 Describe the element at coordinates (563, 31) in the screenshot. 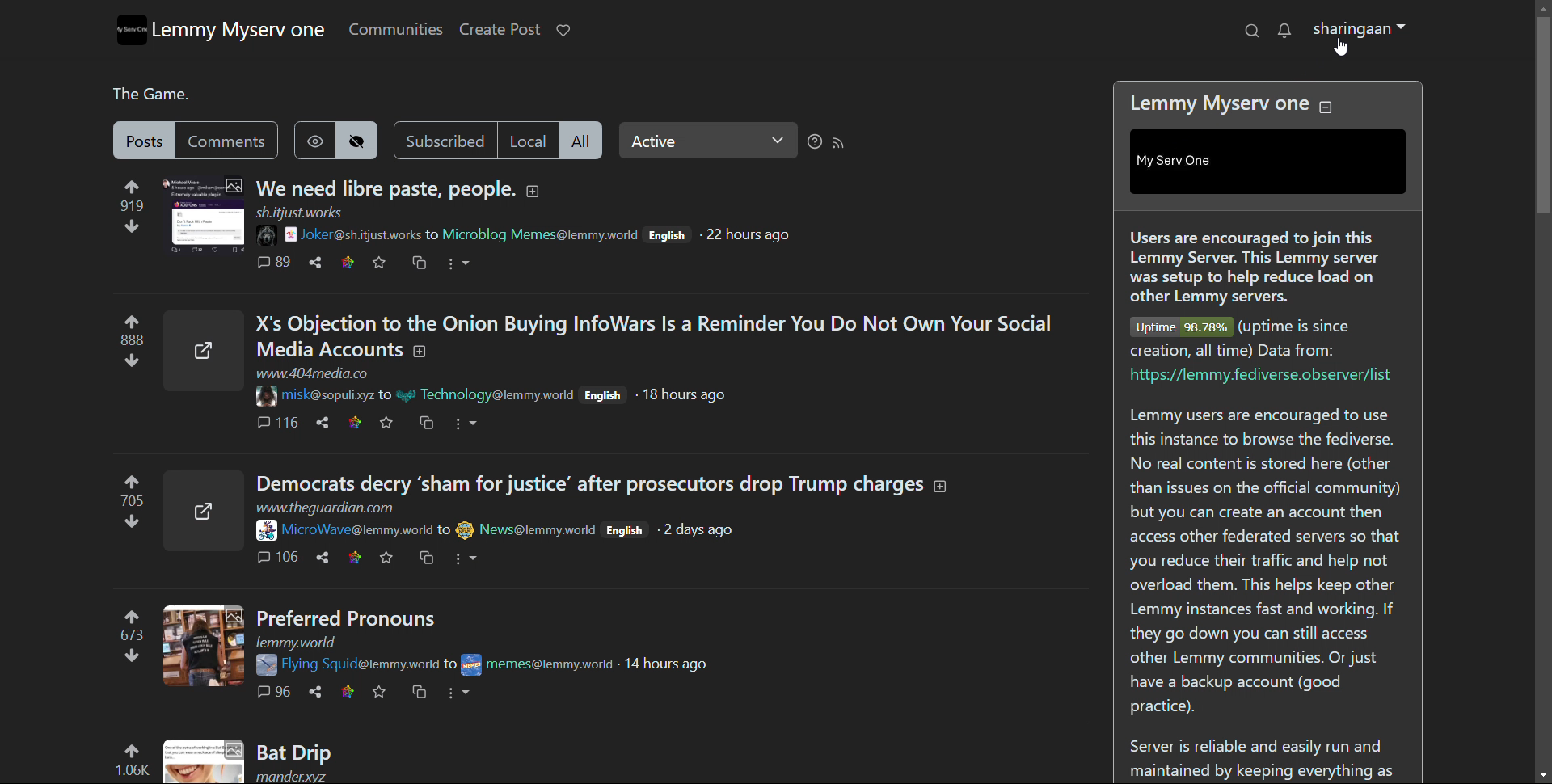

I see `donate to lemmy` at that location.